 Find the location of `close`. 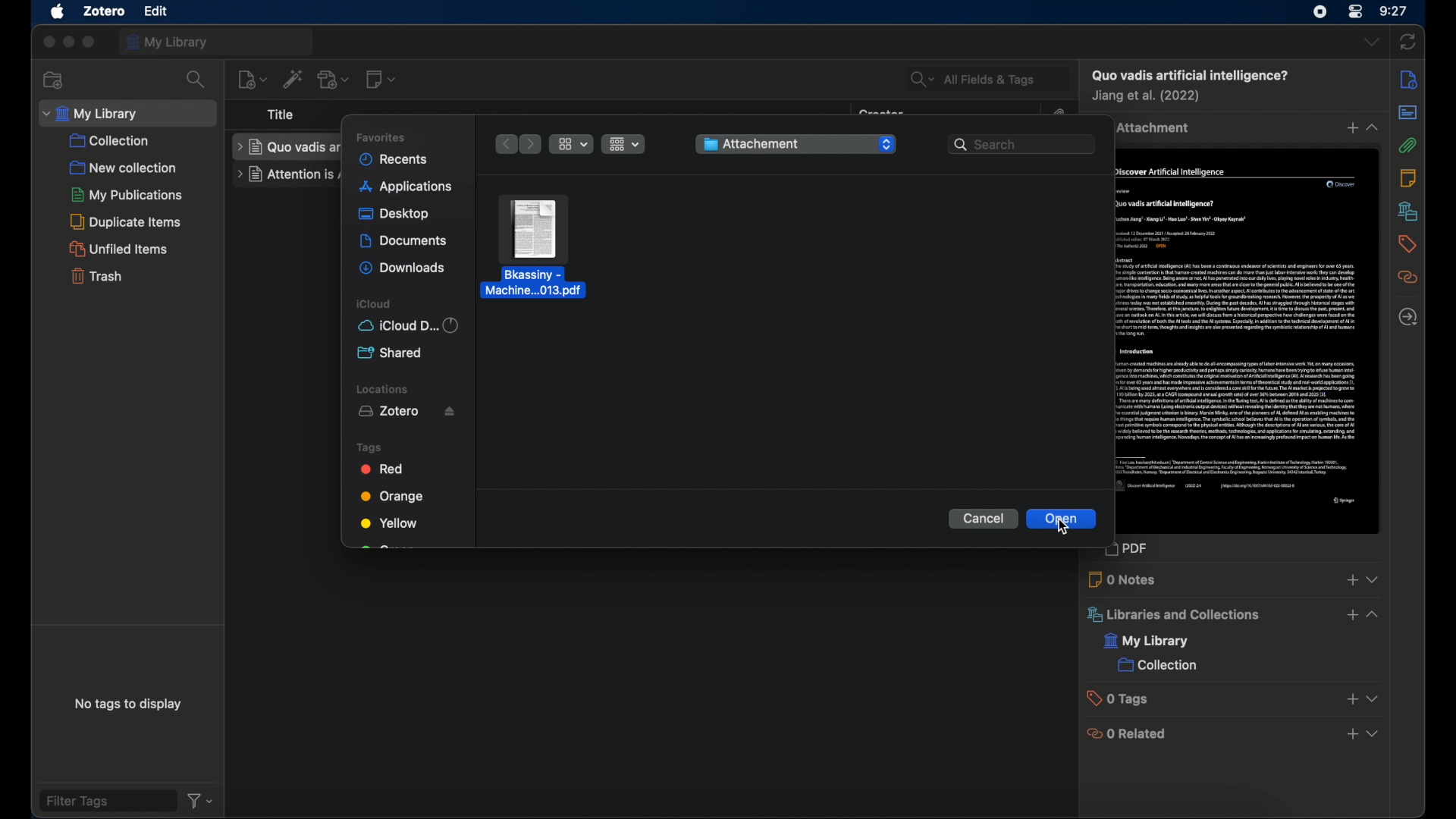

close is located at coordinates (46, 42).